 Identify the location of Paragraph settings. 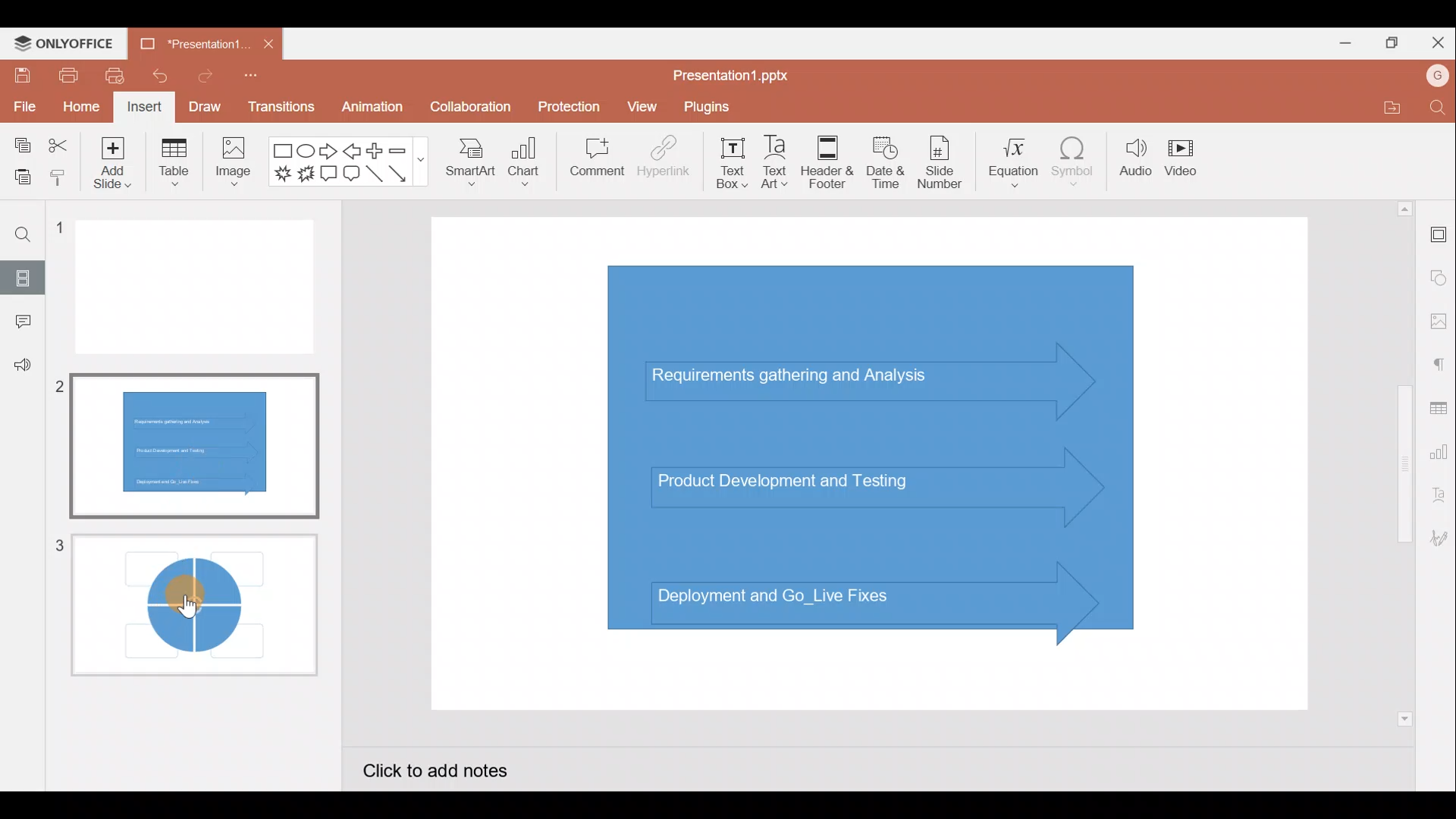
(1441, 365).